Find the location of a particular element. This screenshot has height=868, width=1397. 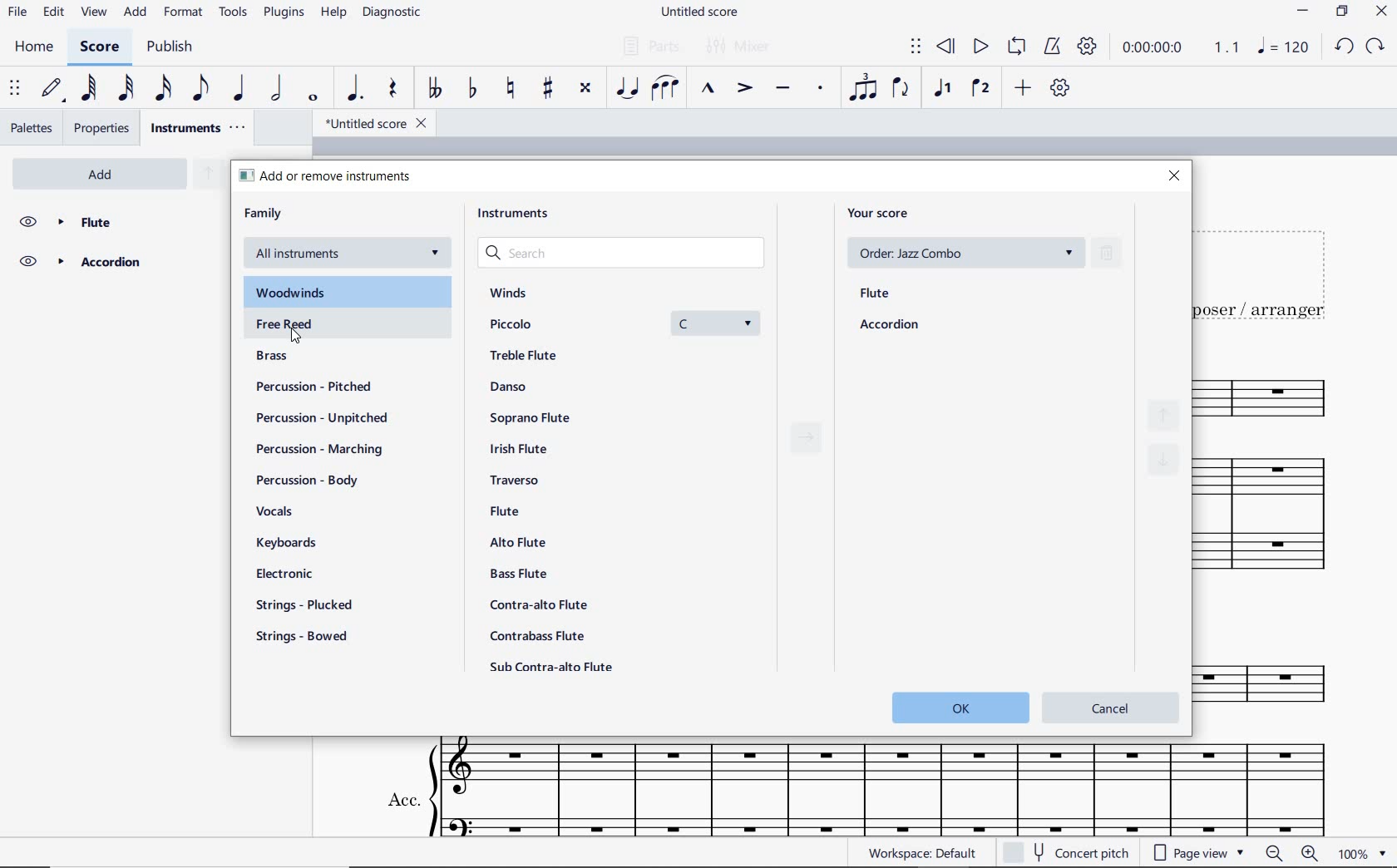

keyboards is located at coordinates (296, 542).